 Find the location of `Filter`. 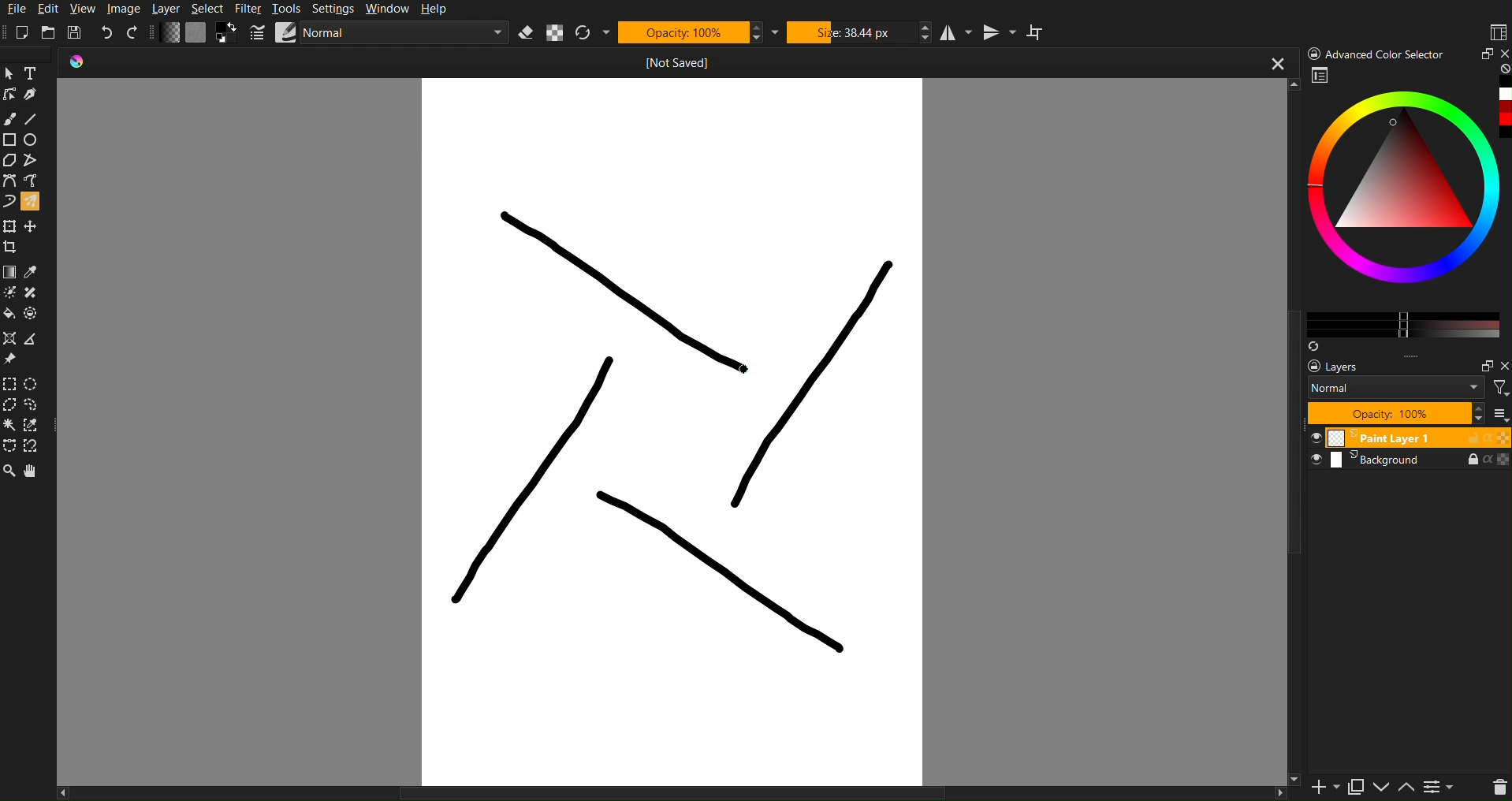

Filter is located at coordinates (252, 9).